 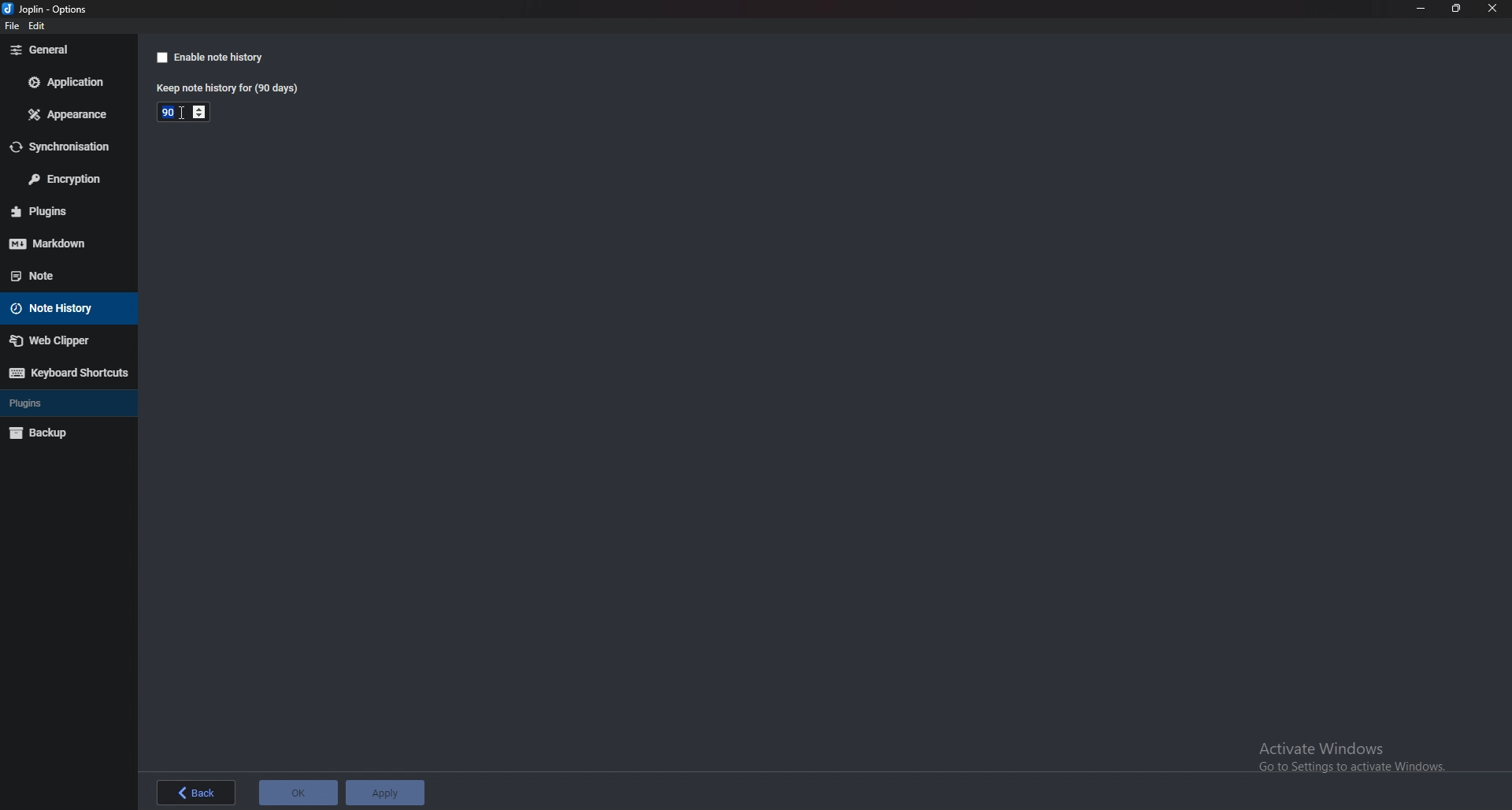 What do you see at coordinates (169, 113) in the screenshot?
I see `duration` at bounding box center [169, 113].